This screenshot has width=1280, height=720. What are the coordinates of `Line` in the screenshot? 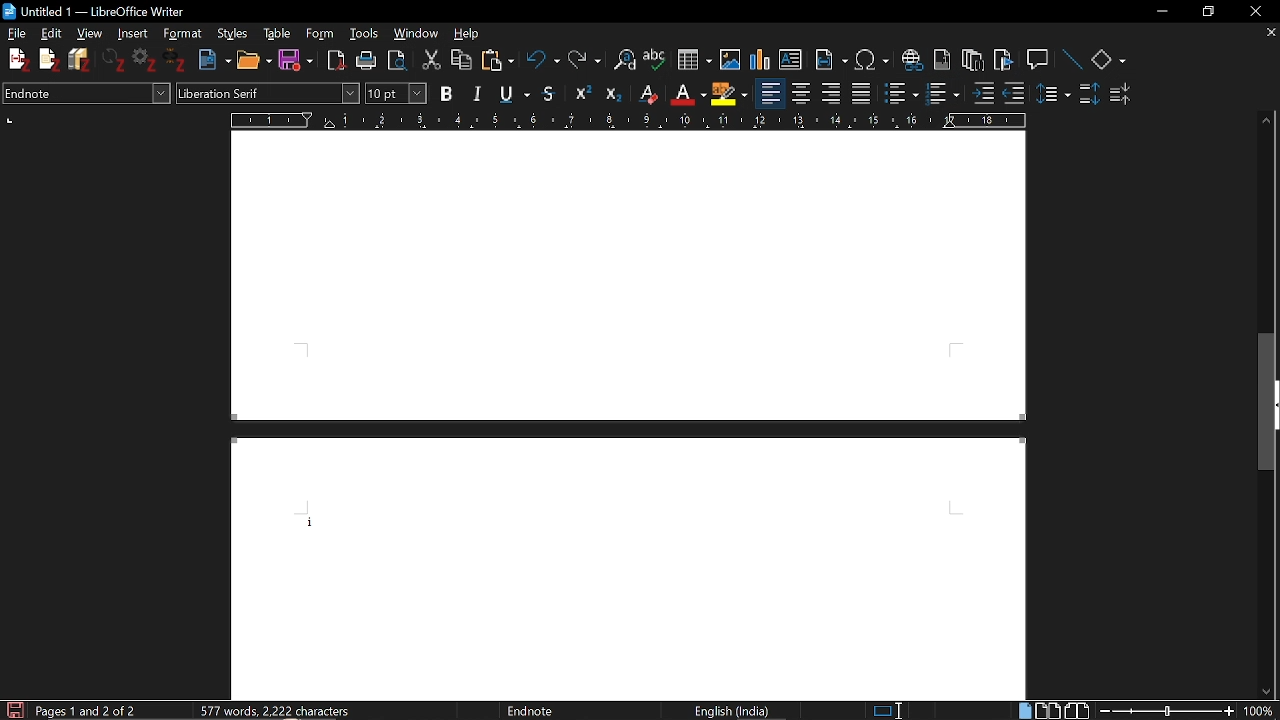 It's located at (1073, 60).